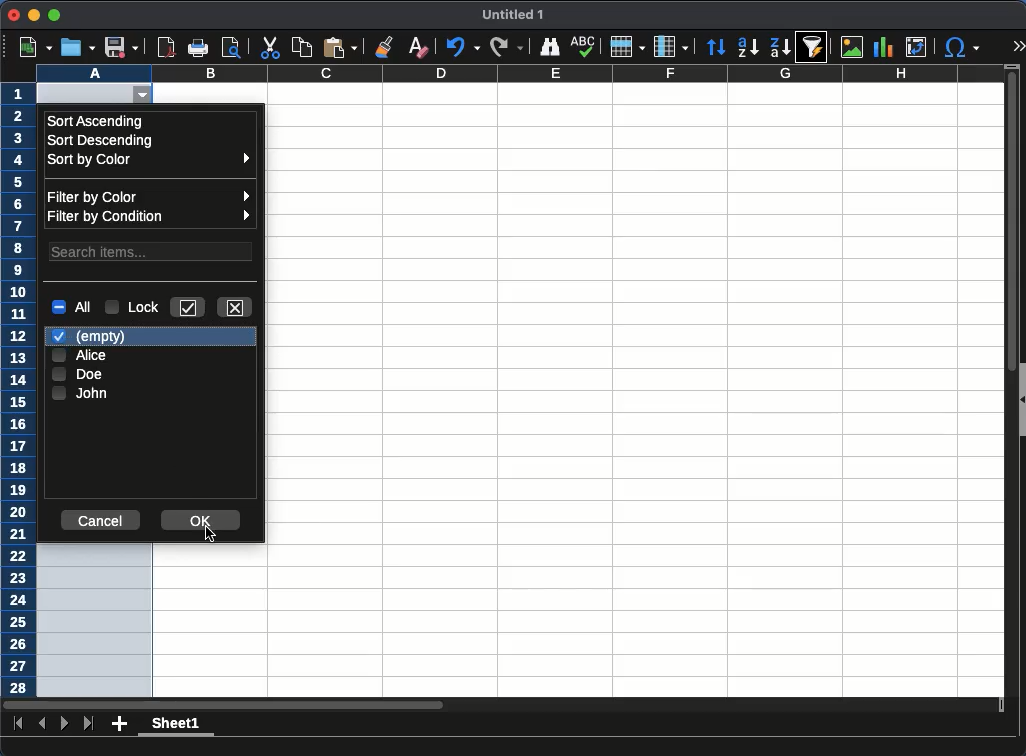 The image size is (1026, 756). I want to click on sort descending, so click(99, 140).